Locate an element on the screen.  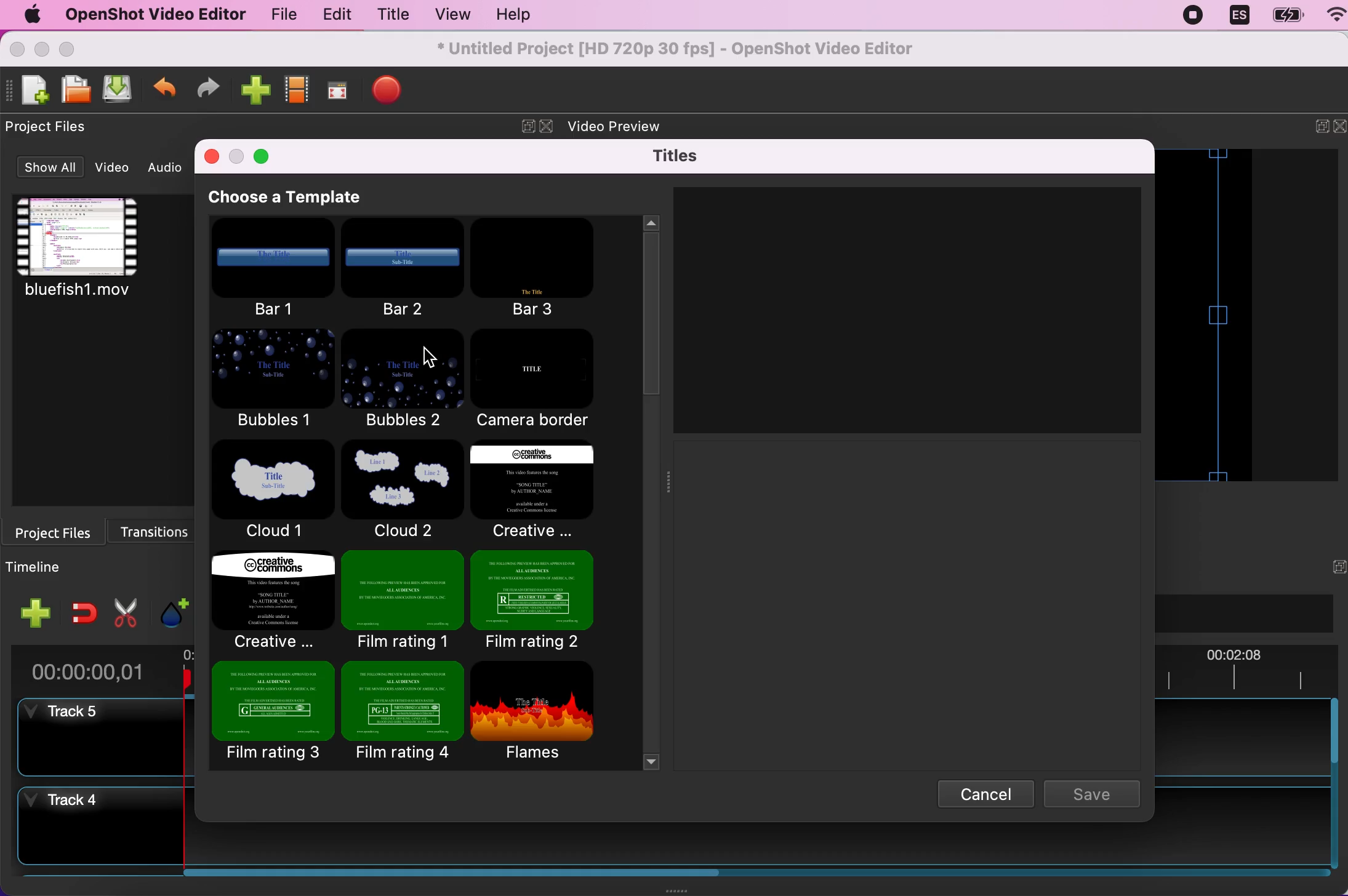
show all is located at coordinates (48, 169).